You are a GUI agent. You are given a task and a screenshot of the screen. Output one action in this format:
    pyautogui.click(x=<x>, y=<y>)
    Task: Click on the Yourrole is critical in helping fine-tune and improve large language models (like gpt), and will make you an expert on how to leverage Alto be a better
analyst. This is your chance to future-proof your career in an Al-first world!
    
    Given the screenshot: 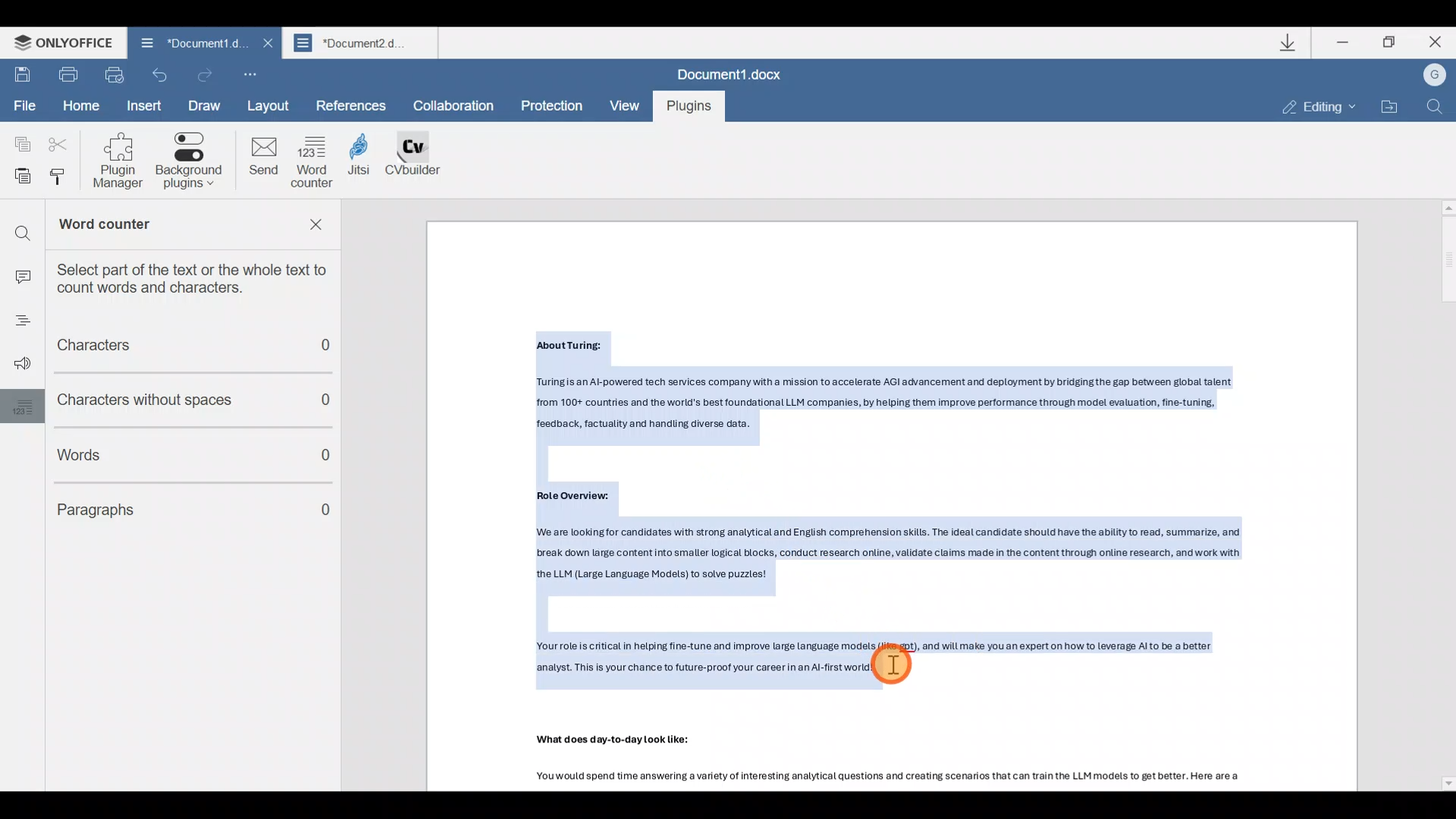 What is the action you would take?
    pyautogui.click(x=902, y=664)
    